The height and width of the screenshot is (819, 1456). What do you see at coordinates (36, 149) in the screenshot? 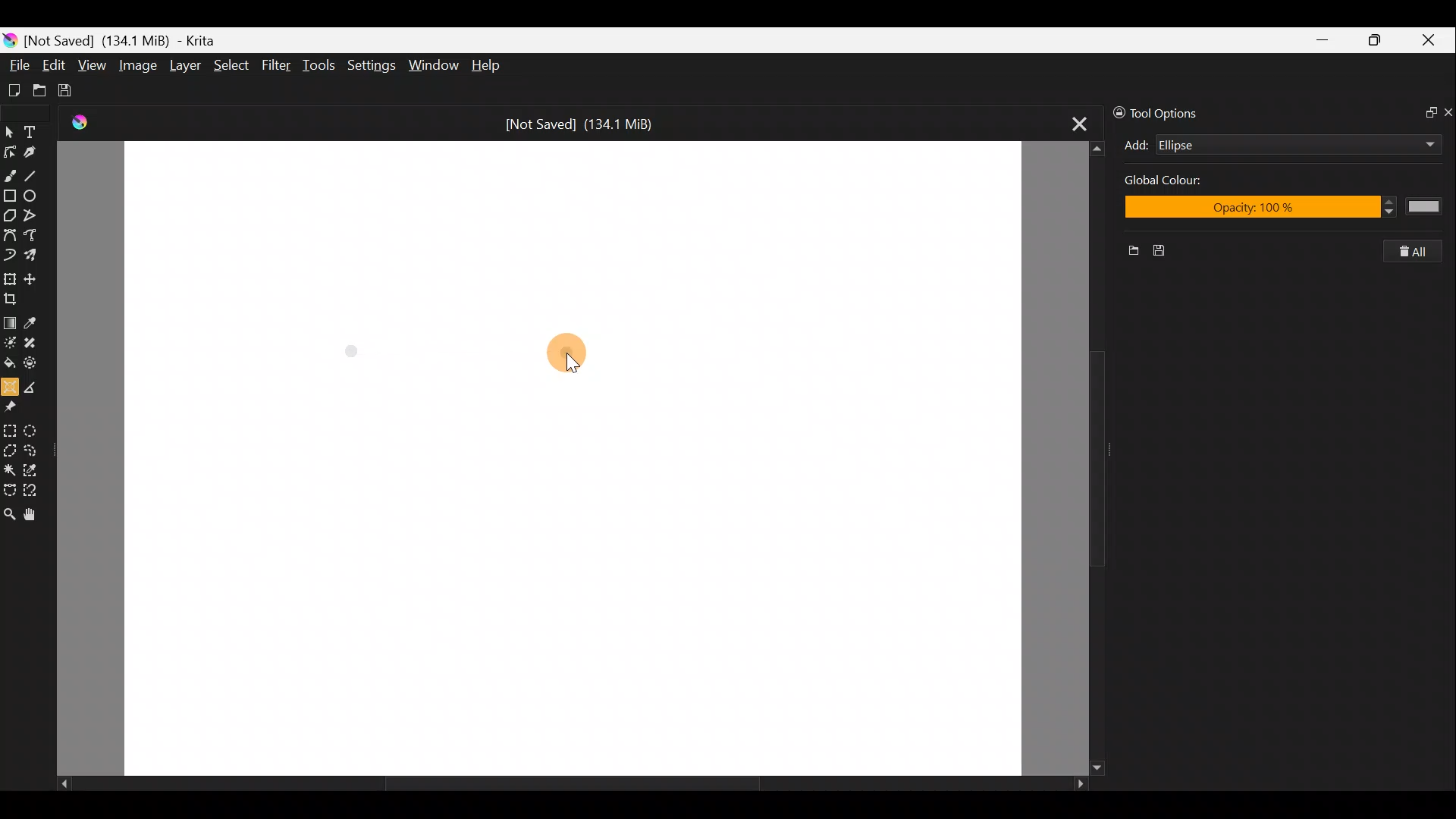
I see `Calligraphy` at bounding box center [36, 149].